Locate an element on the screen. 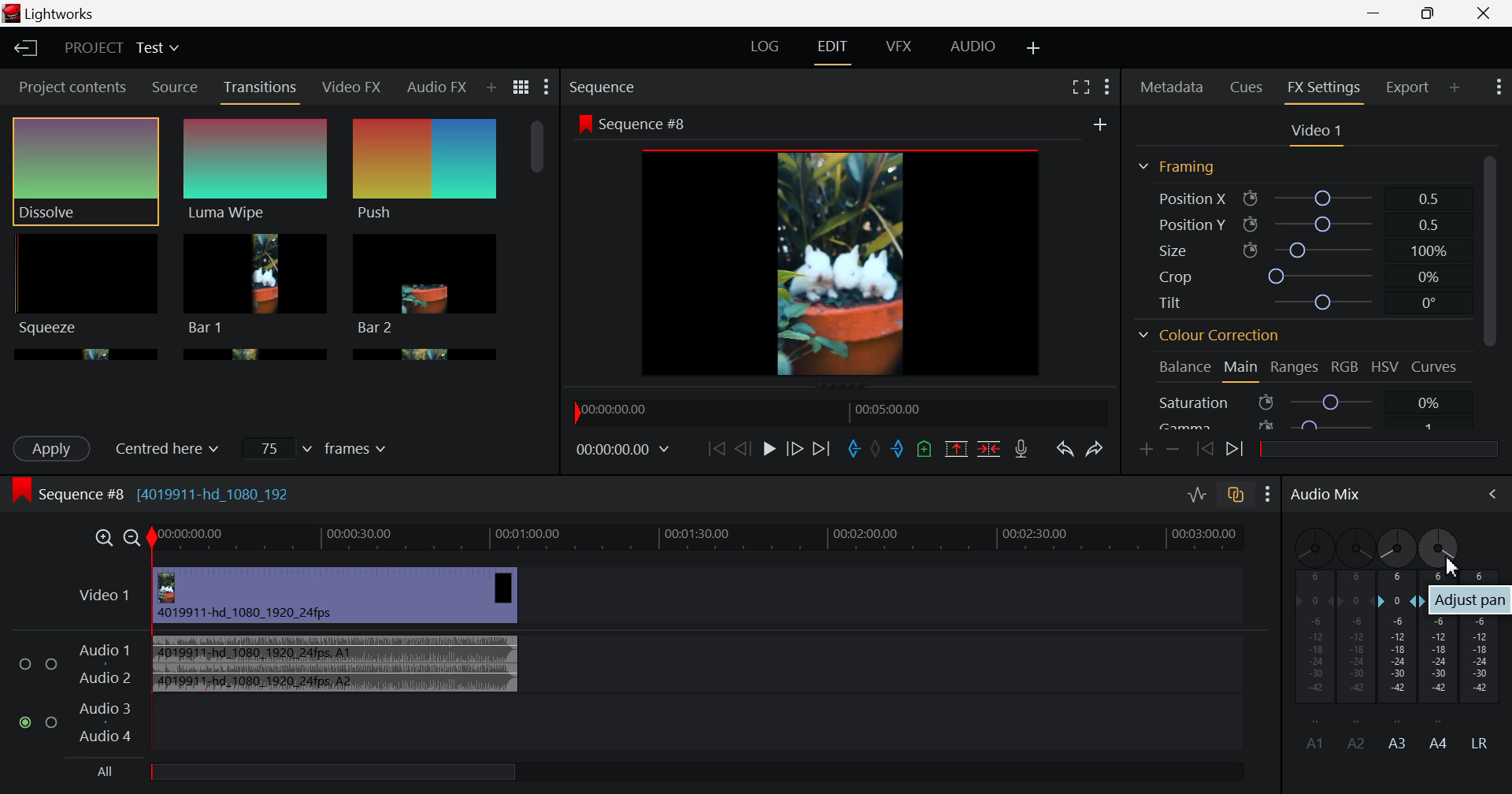 The image size is (1512, 794). Timeline Zoom In/Out is located at coordinates (114, 538).